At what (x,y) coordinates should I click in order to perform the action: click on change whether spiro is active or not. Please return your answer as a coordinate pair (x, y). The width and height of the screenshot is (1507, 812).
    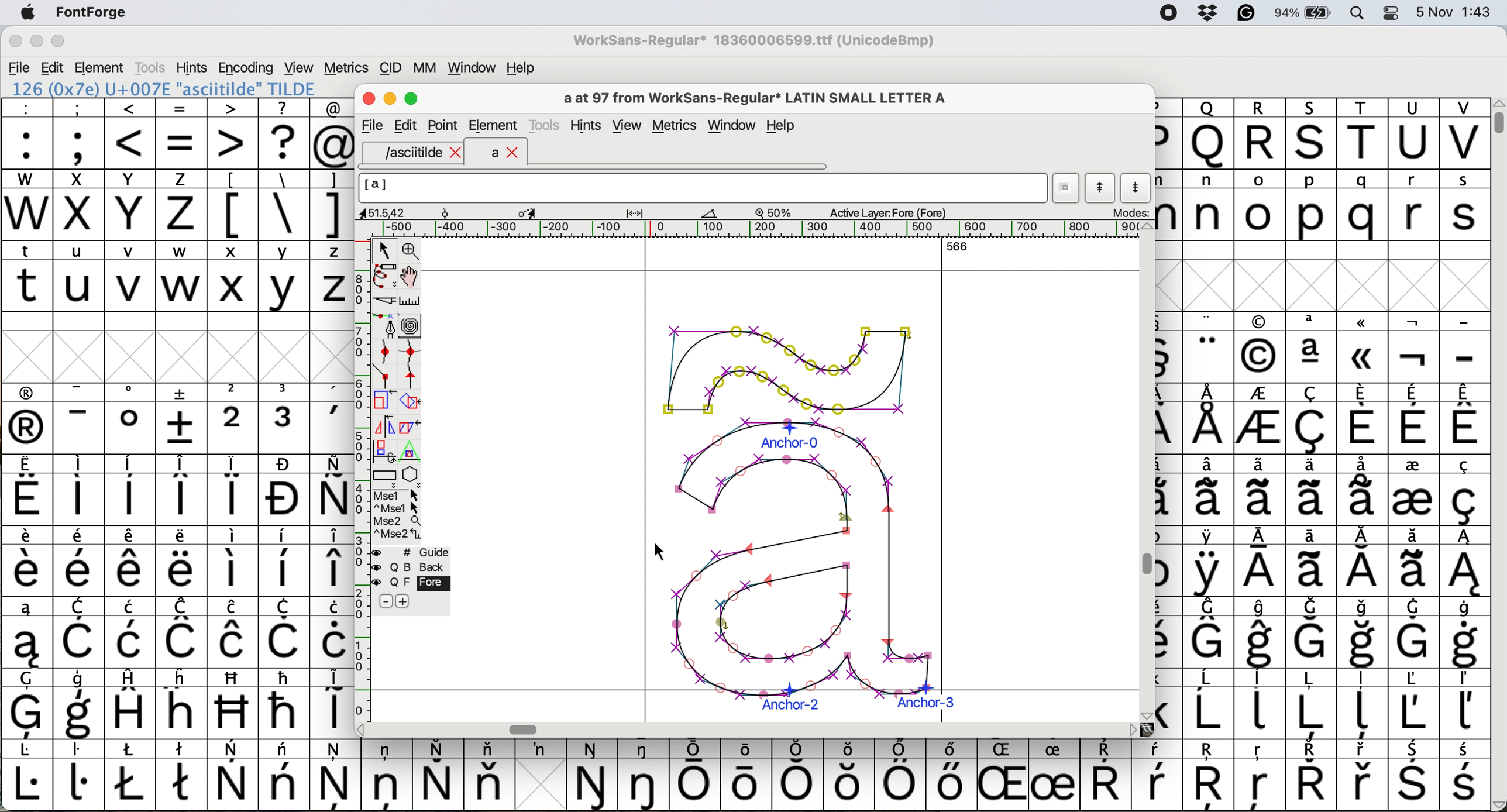
    Looking at the image, I should click on (411, 325).